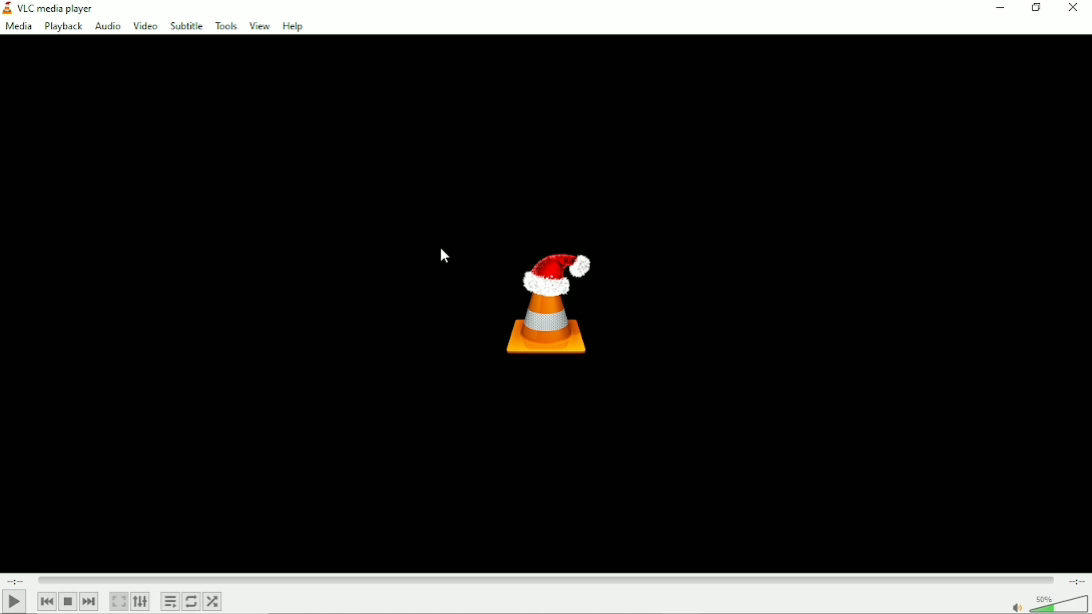 The height and width of the screenshot is (614, 1092). I want to click on Play duration, so click(545, 580).